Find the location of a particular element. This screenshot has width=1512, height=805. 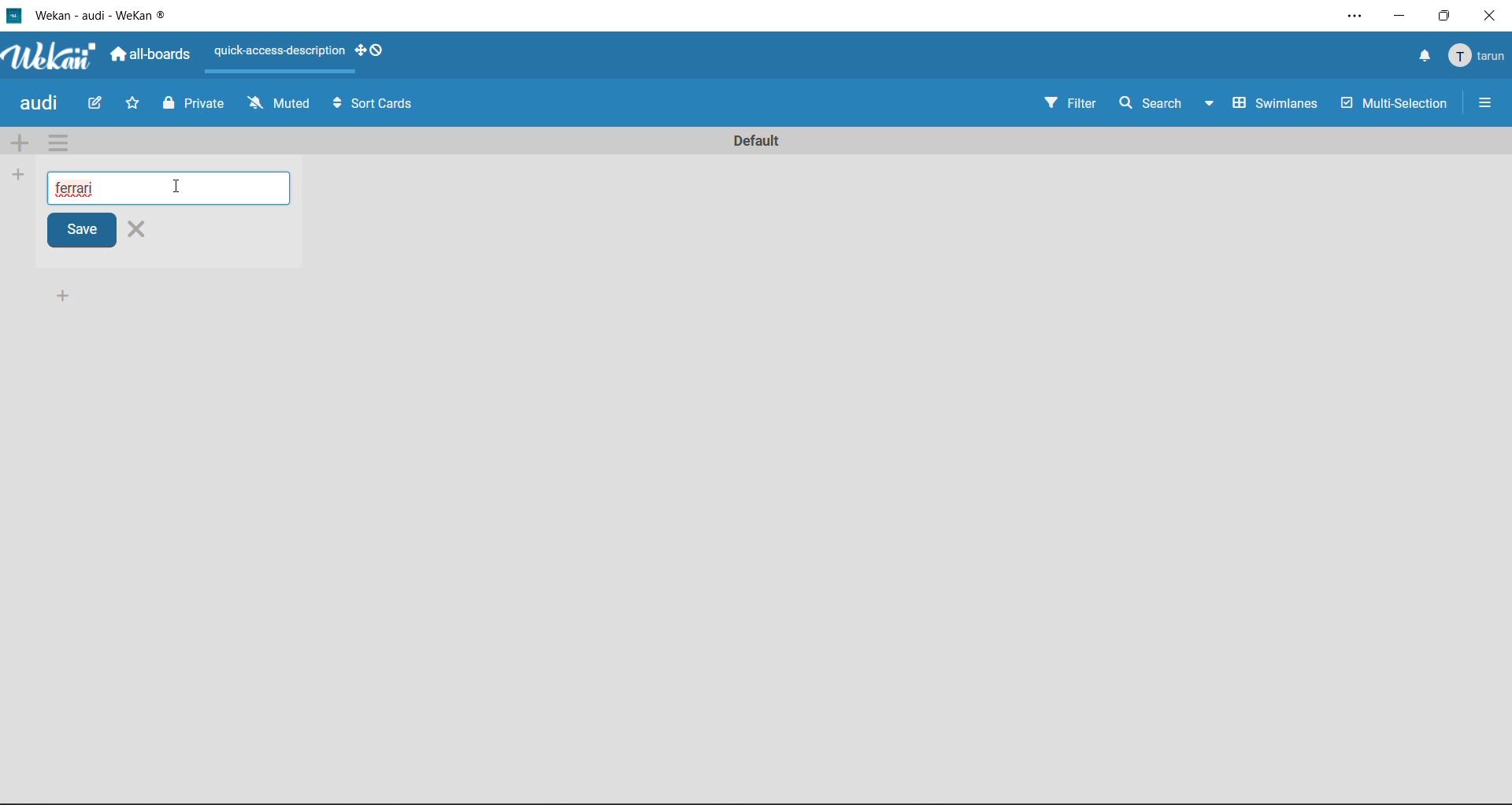

settings is located at coordinates (1350, 13).